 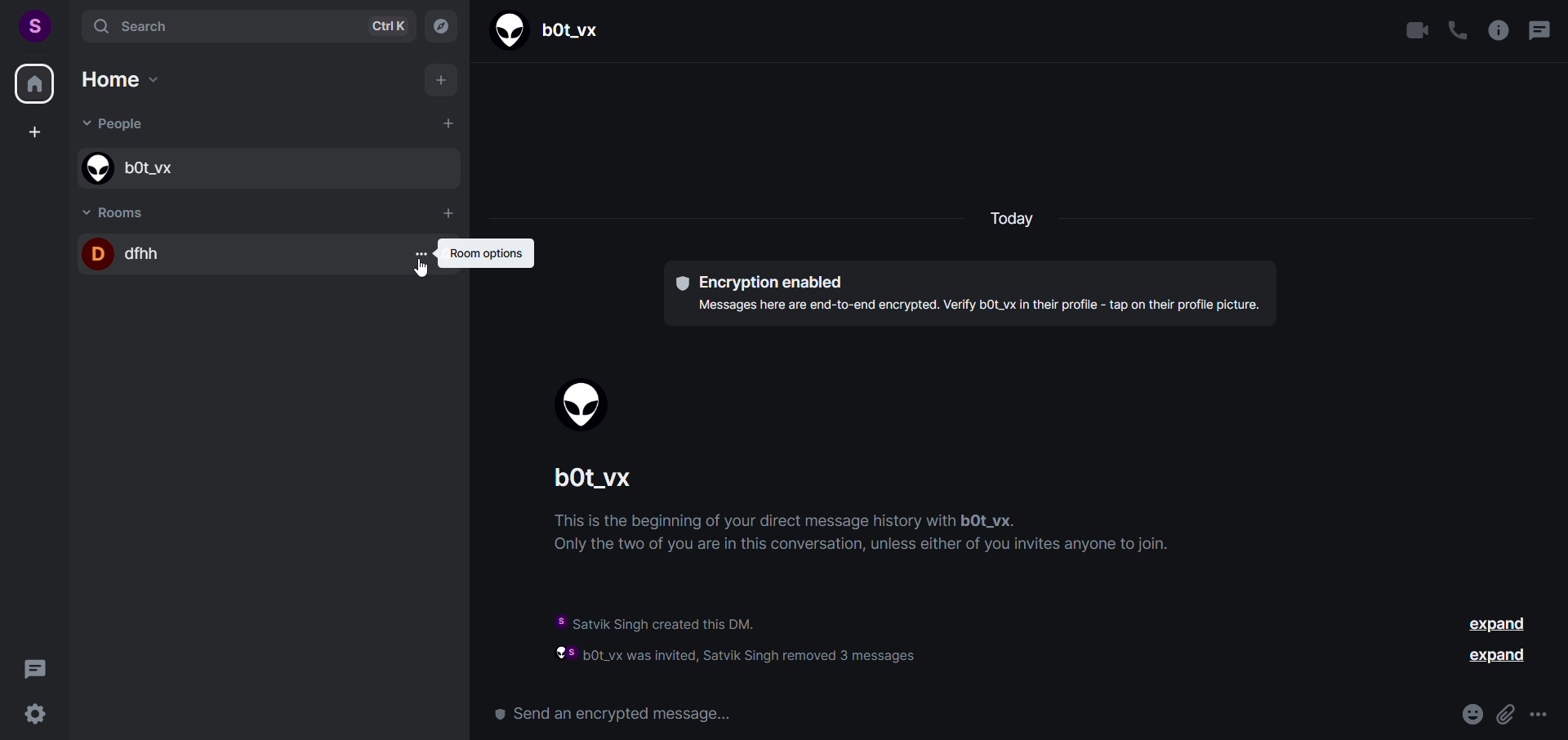 What do you see at coordinates (553, 32) in the screenshot?
I see `people name` at bounding box center [553, 32].